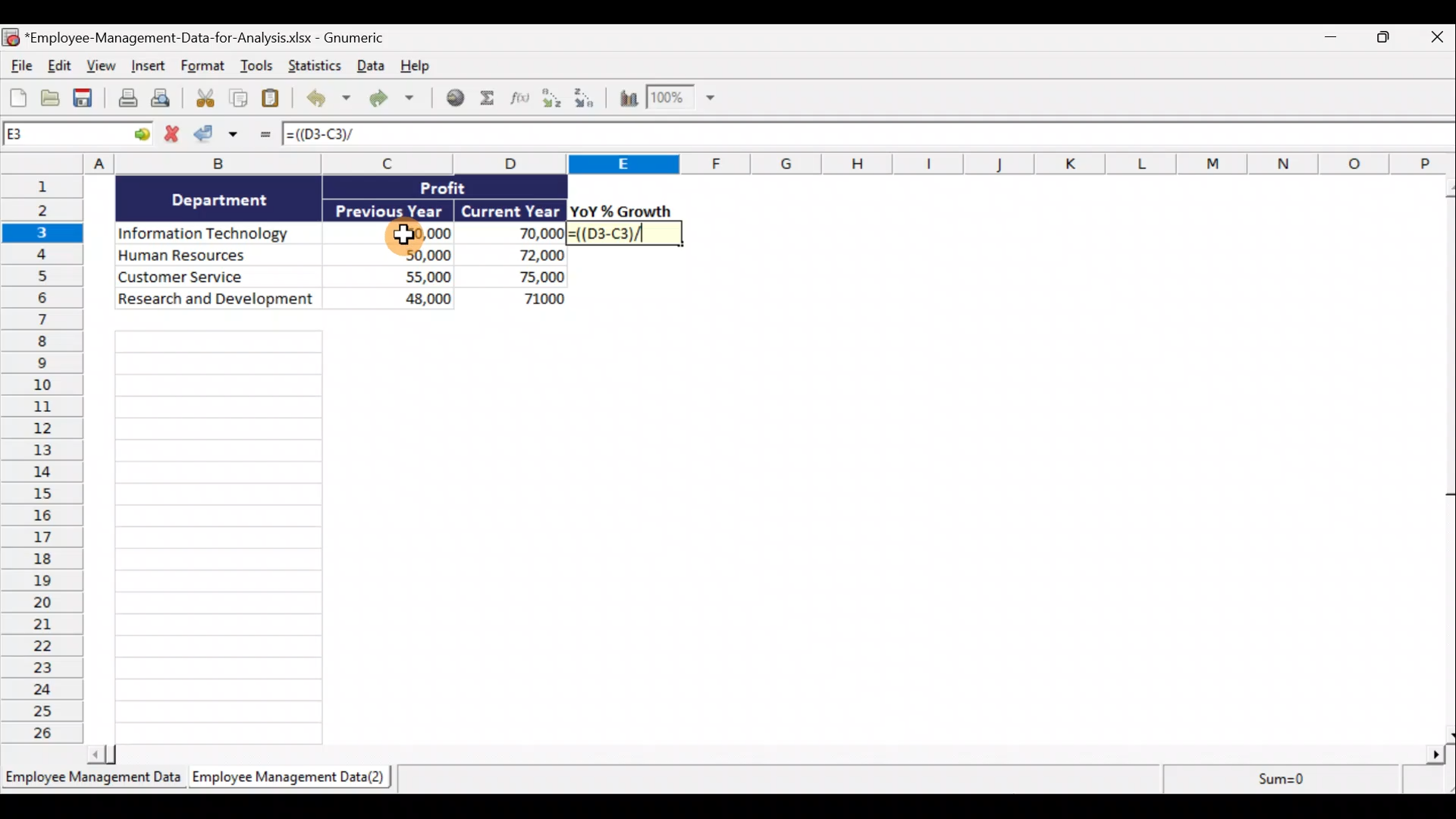 The height and width of the screenshot is (819, 1456). Describe the element at coordinates (1307, 781) in the screenshot. I see `sum=0` at that location.